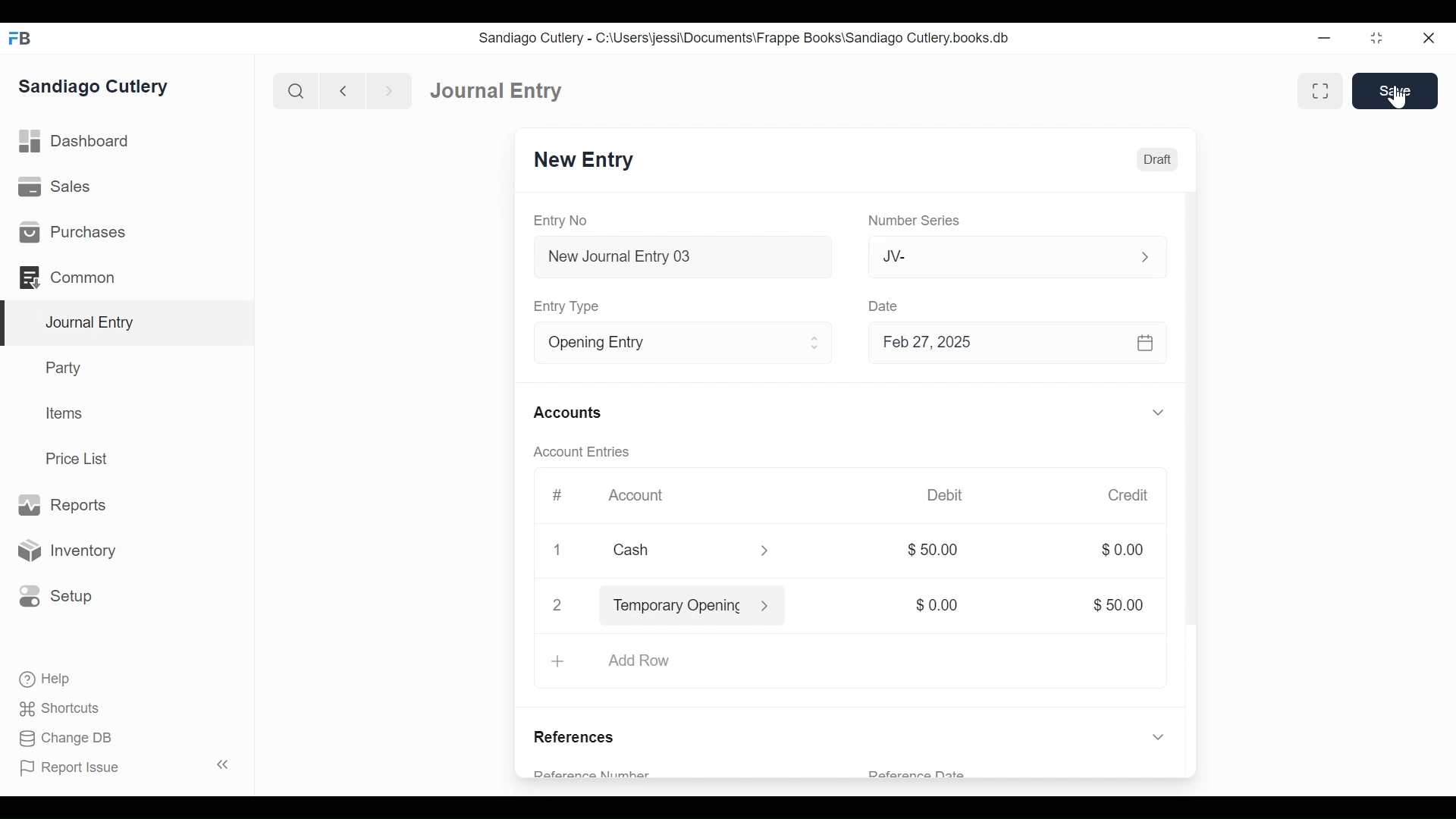 This screenshot has height=819, width=1456. I want to click on + Add Row, so click(617, 661).